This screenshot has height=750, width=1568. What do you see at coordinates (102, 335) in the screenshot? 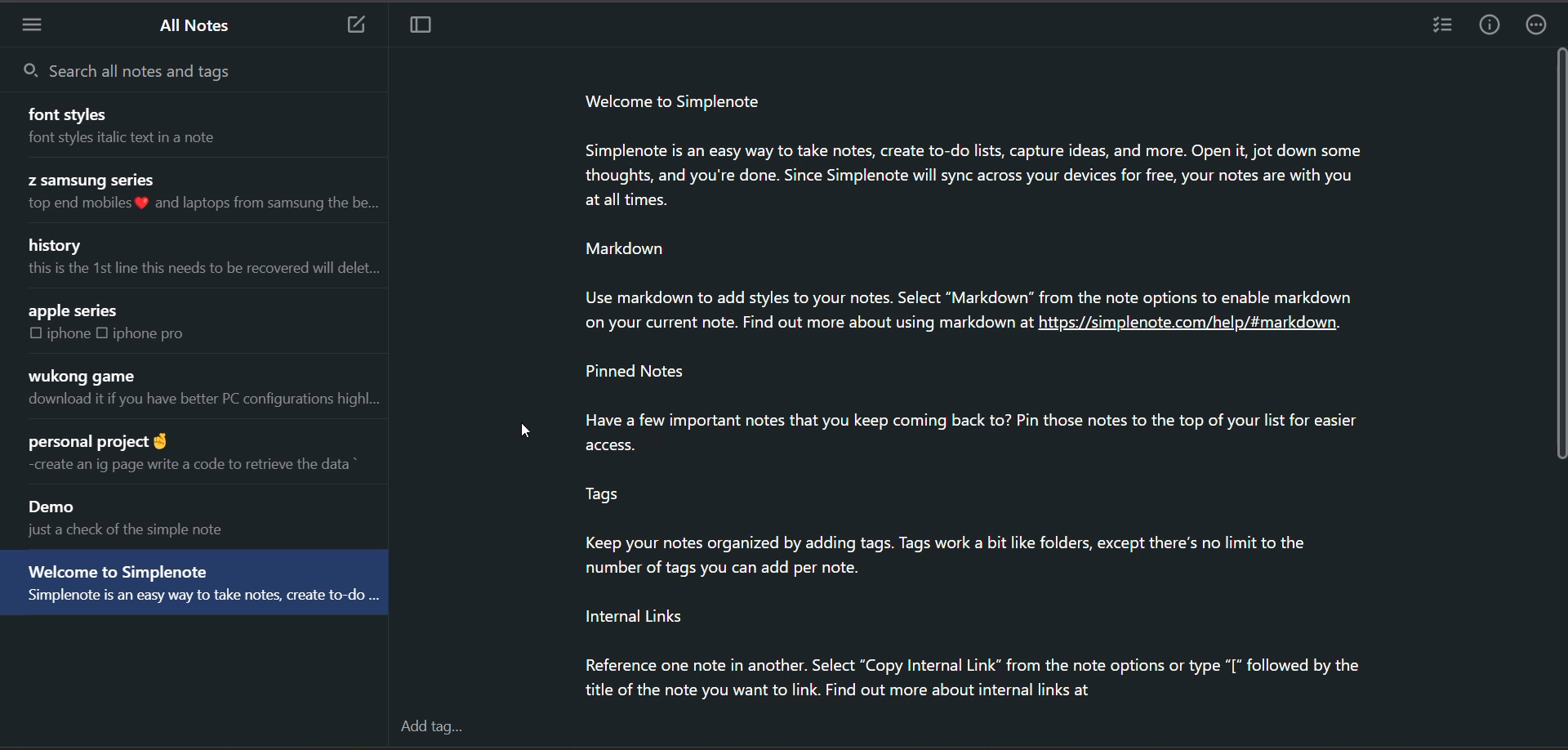
I see `checkbox` at bounding box center [102, 335].